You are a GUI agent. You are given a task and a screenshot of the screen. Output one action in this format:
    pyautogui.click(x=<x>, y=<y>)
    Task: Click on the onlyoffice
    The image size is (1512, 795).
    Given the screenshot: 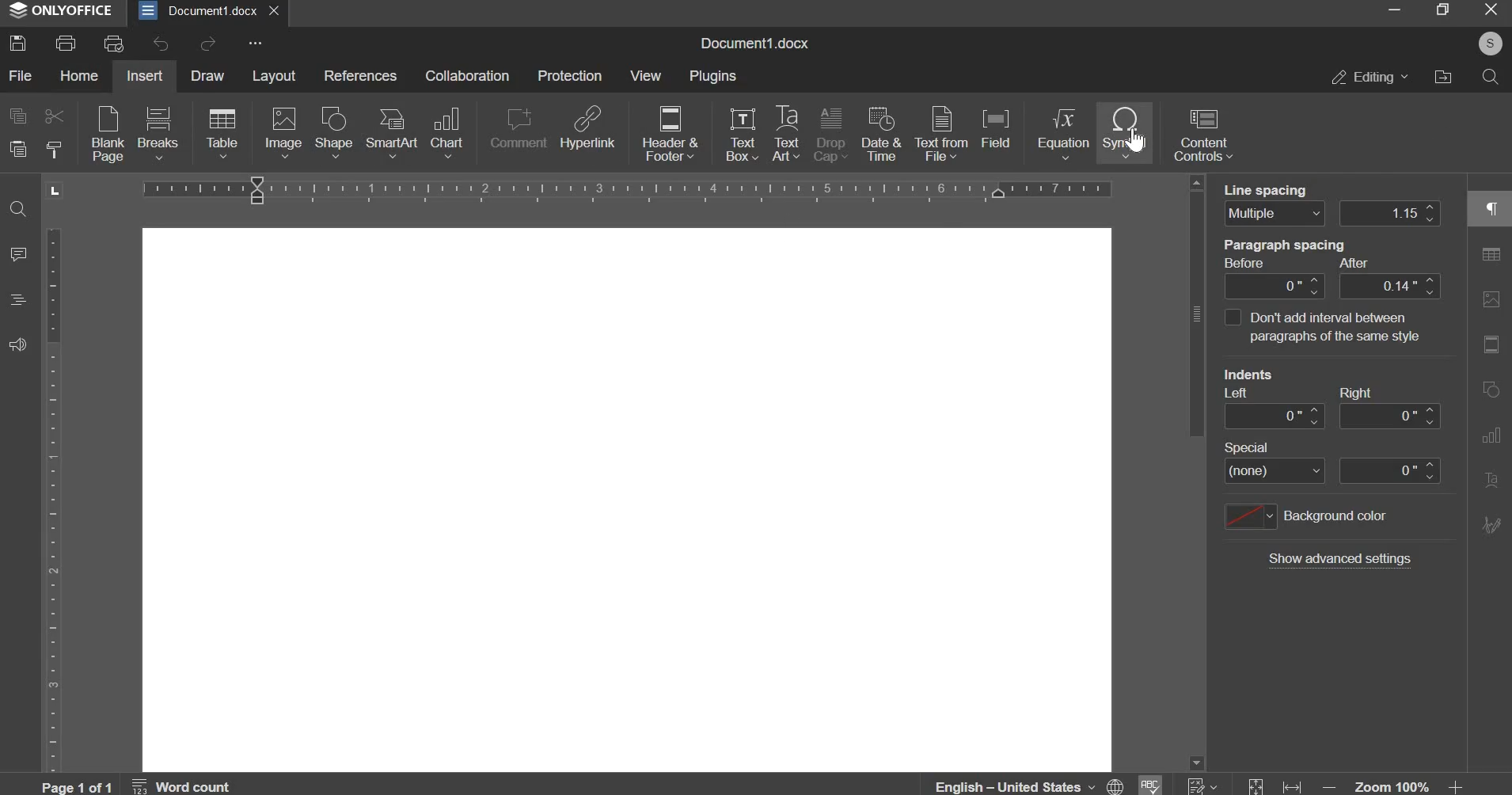 What is the action you would take?
    pyautogui.click(x=62, y=10)
    